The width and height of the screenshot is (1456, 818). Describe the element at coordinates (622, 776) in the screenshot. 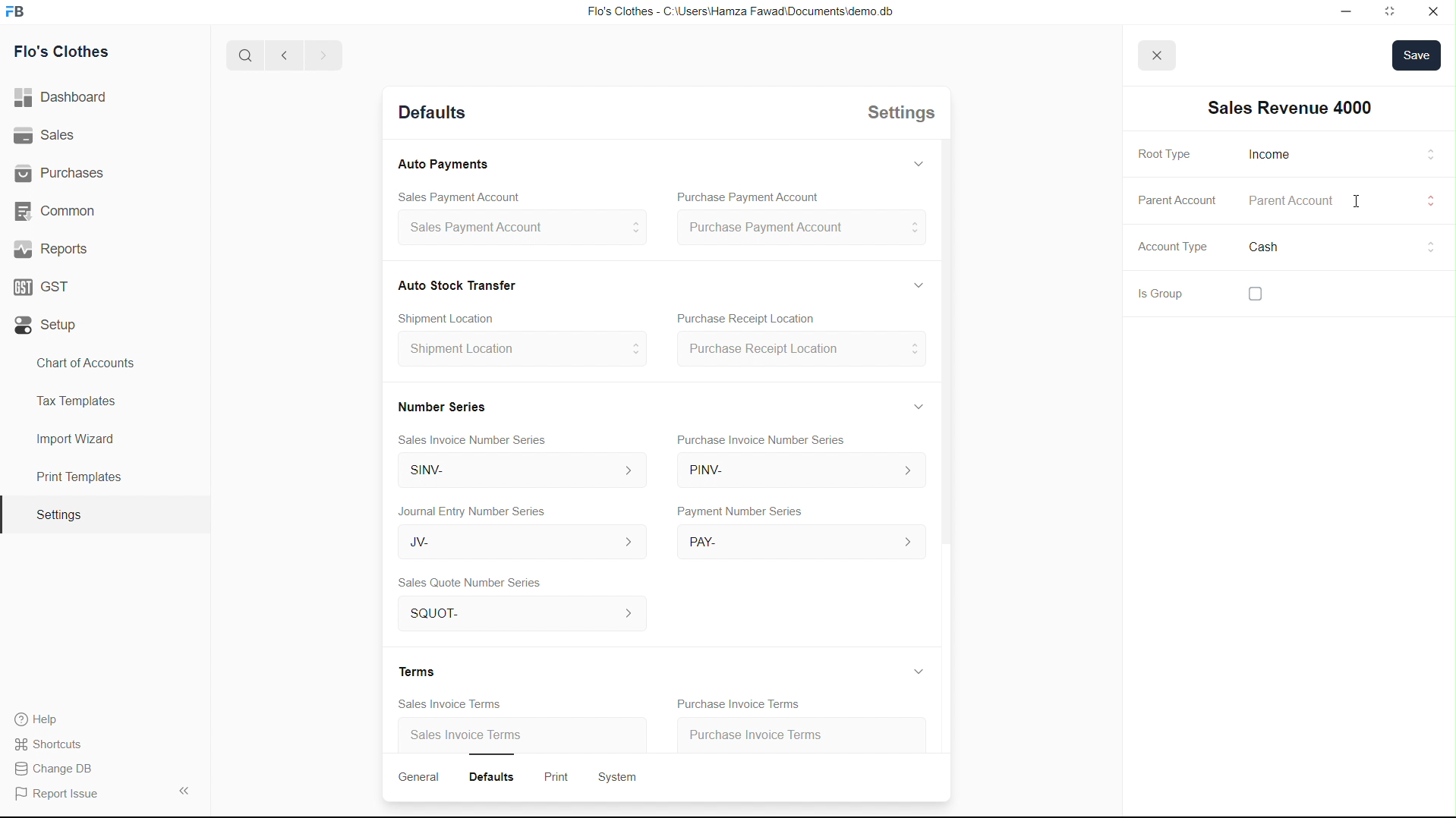

I see `System` at that location.